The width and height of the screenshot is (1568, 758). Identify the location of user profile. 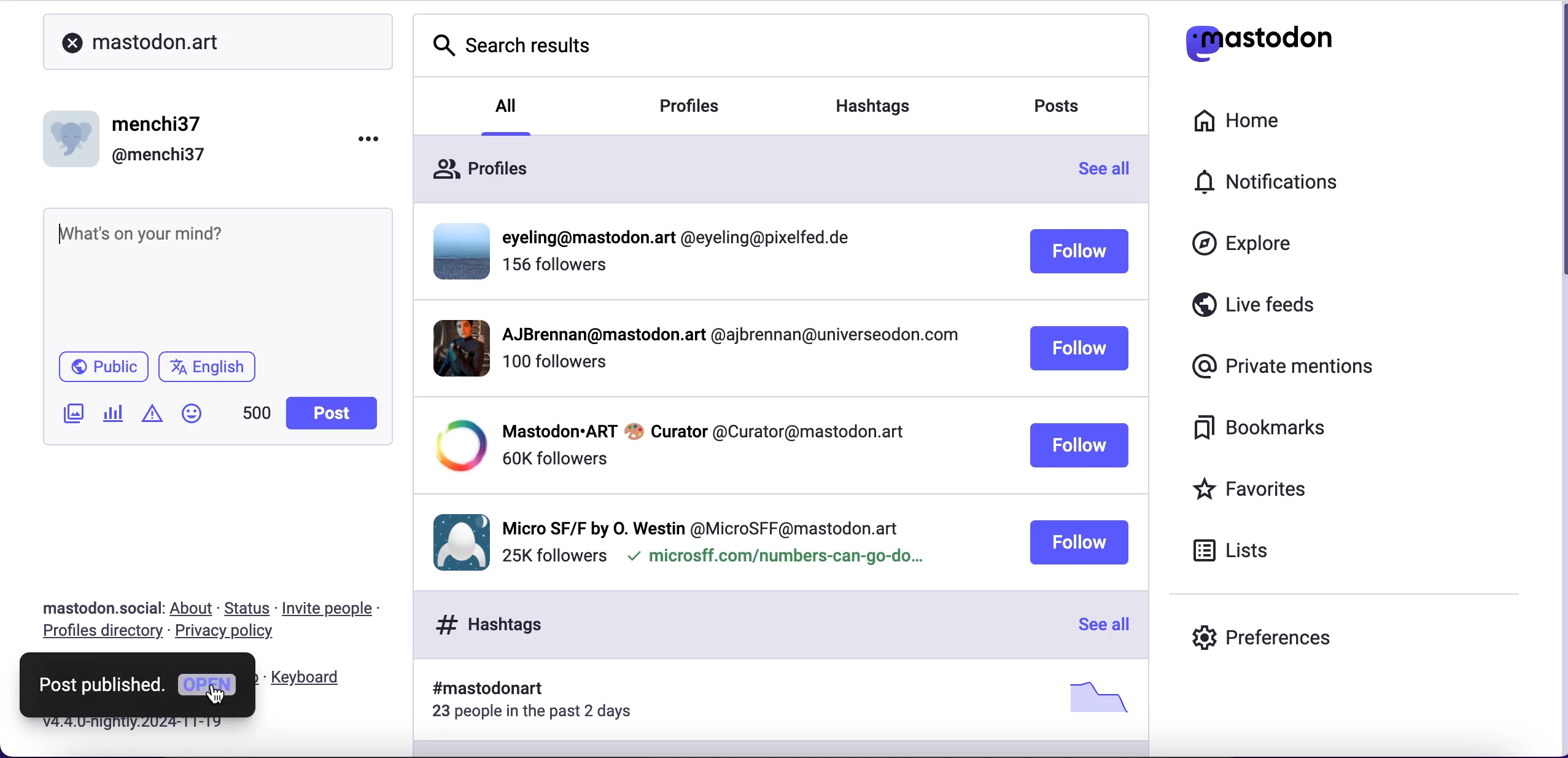
(725, 256).